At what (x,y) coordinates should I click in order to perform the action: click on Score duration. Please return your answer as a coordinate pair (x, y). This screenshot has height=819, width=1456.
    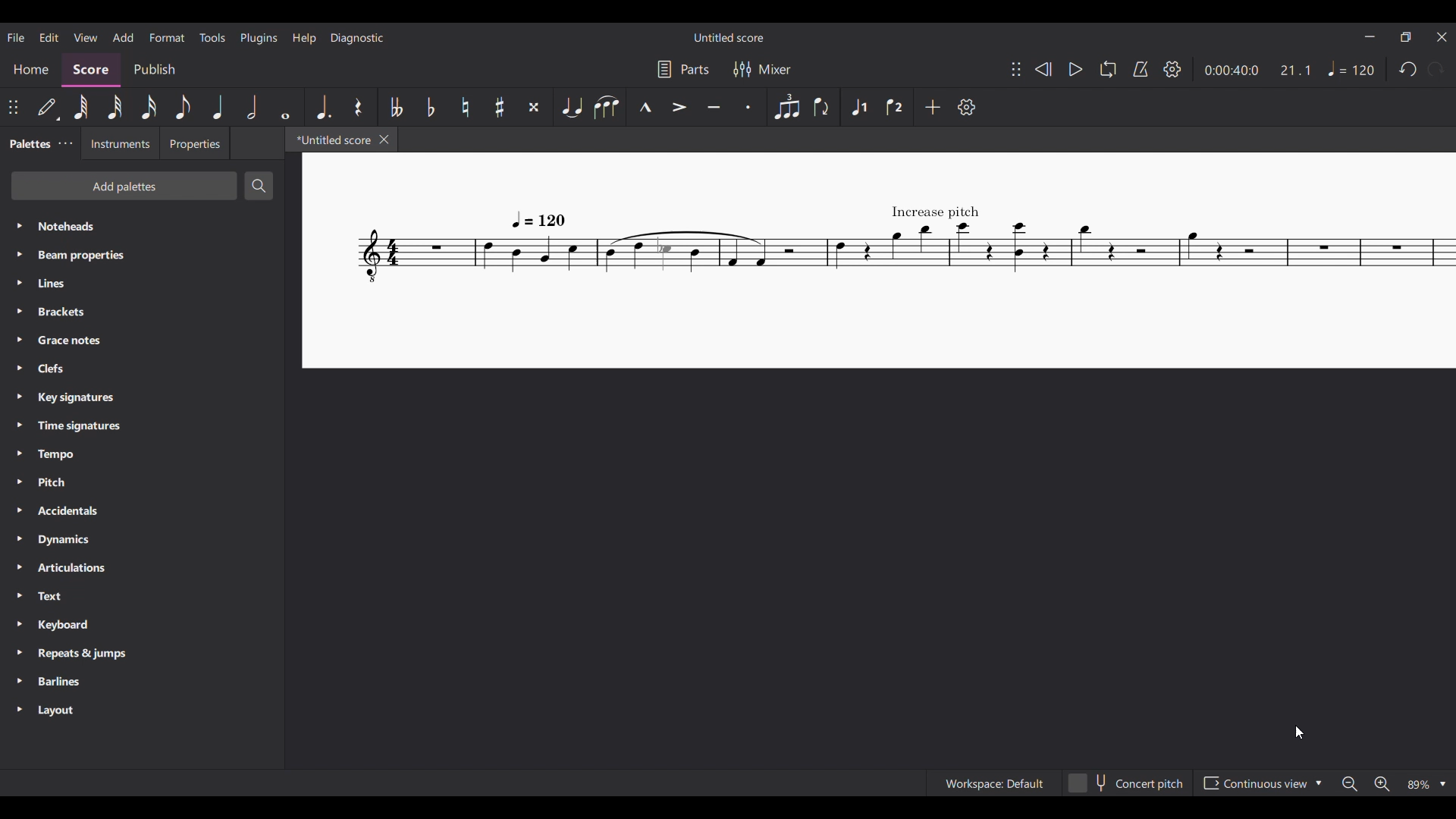
    Looking at the image, I should click on (1232, 70).